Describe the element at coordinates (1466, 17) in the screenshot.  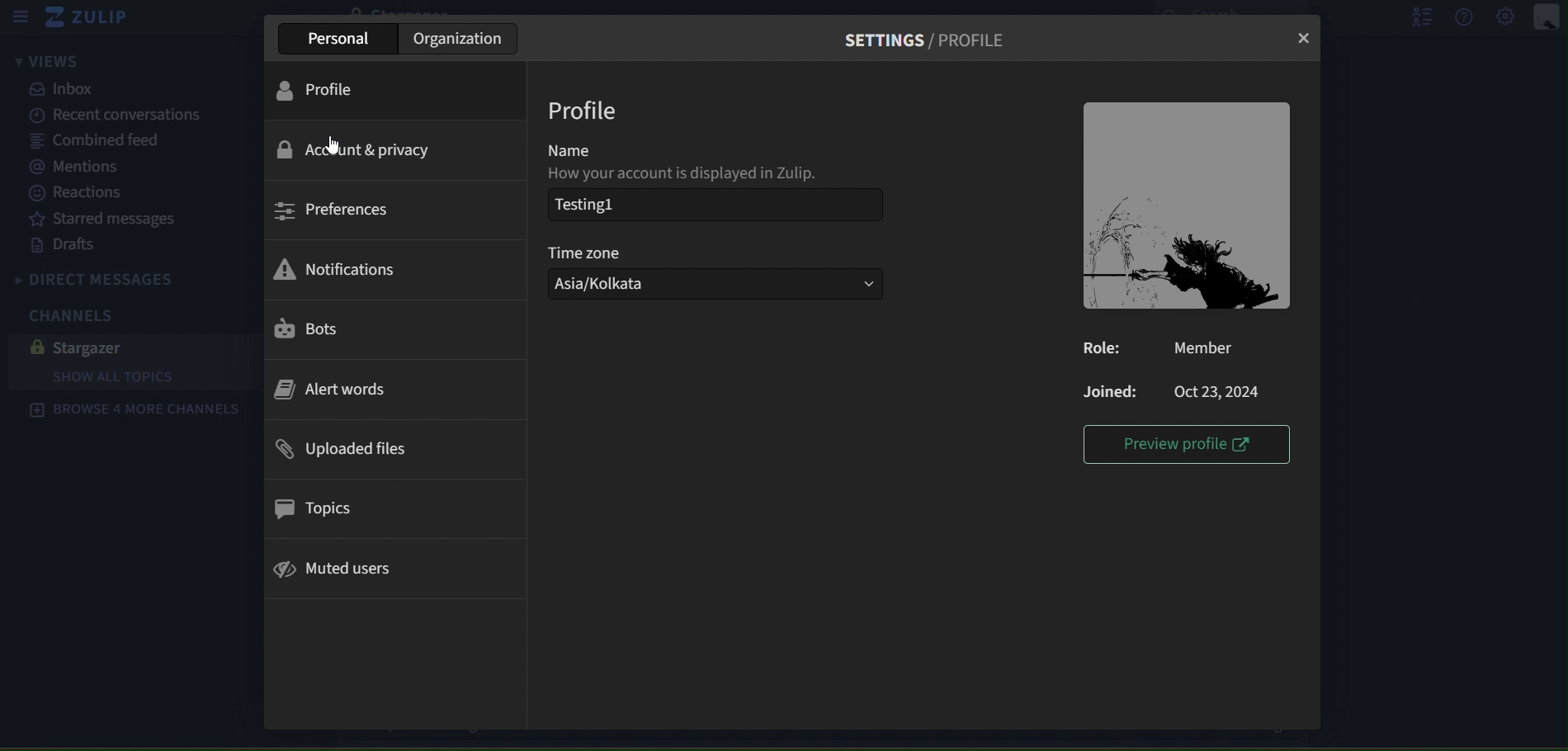
I see `help` at that location.